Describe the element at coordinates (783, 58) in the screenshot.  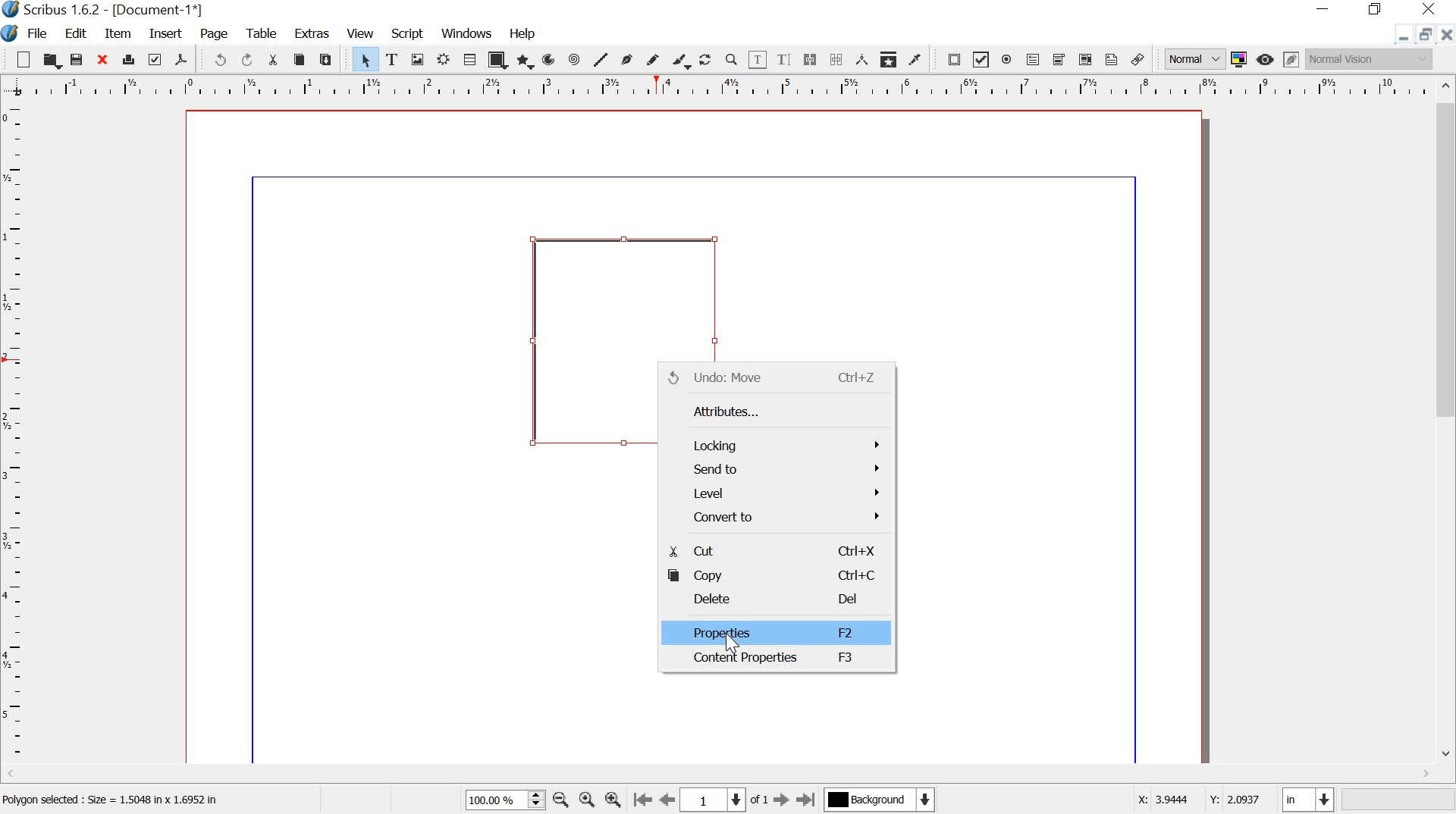
I see `edit text with story editor` at that location.